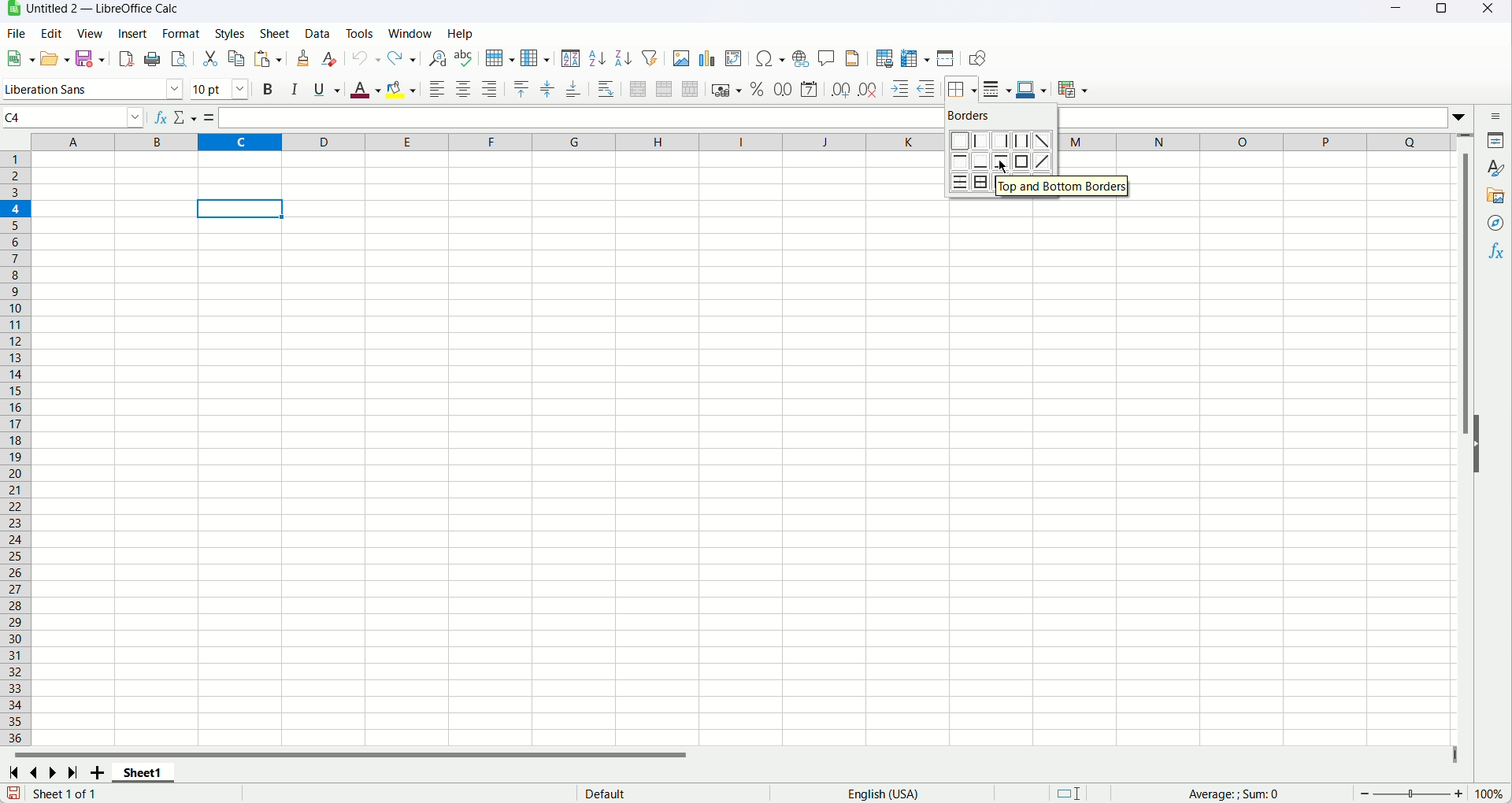 The width and height of the screenshot is (1512, 803). I want to click on Formula, so click(1261, 794).